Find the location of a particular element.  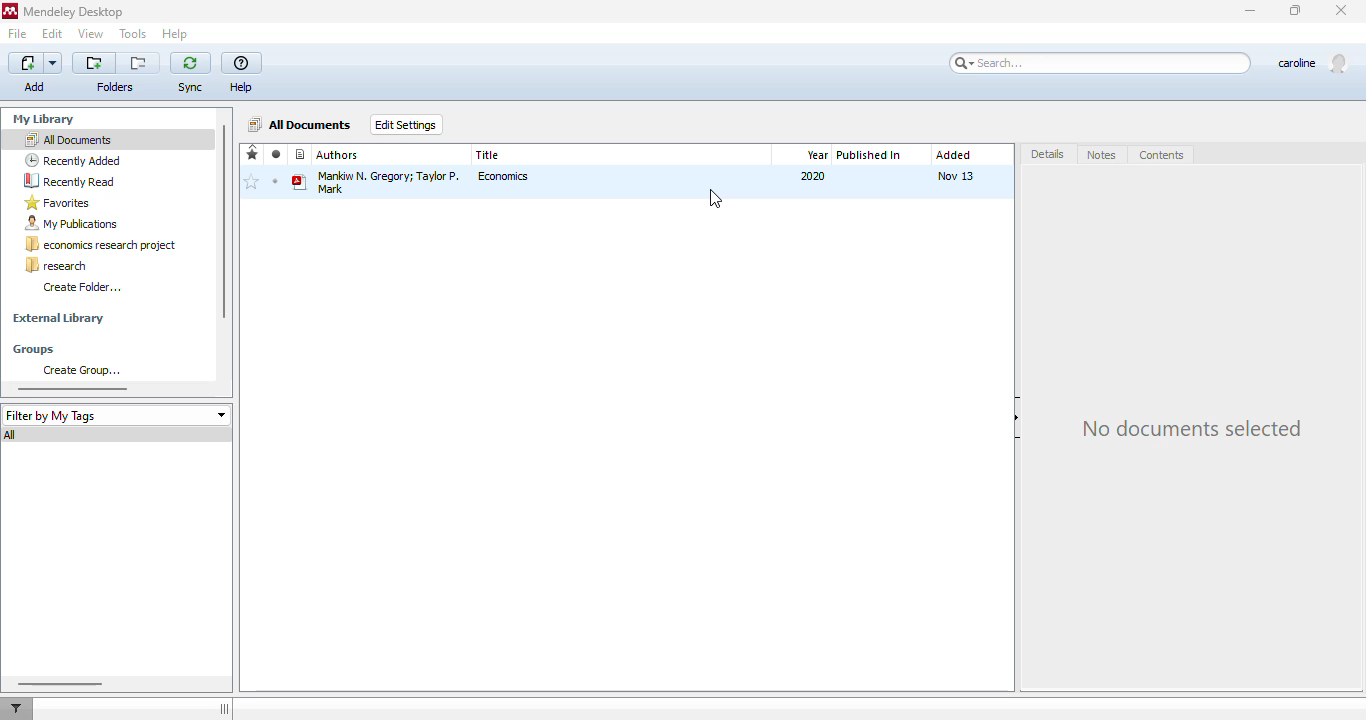

recently read is located at coordinates (72, 182).